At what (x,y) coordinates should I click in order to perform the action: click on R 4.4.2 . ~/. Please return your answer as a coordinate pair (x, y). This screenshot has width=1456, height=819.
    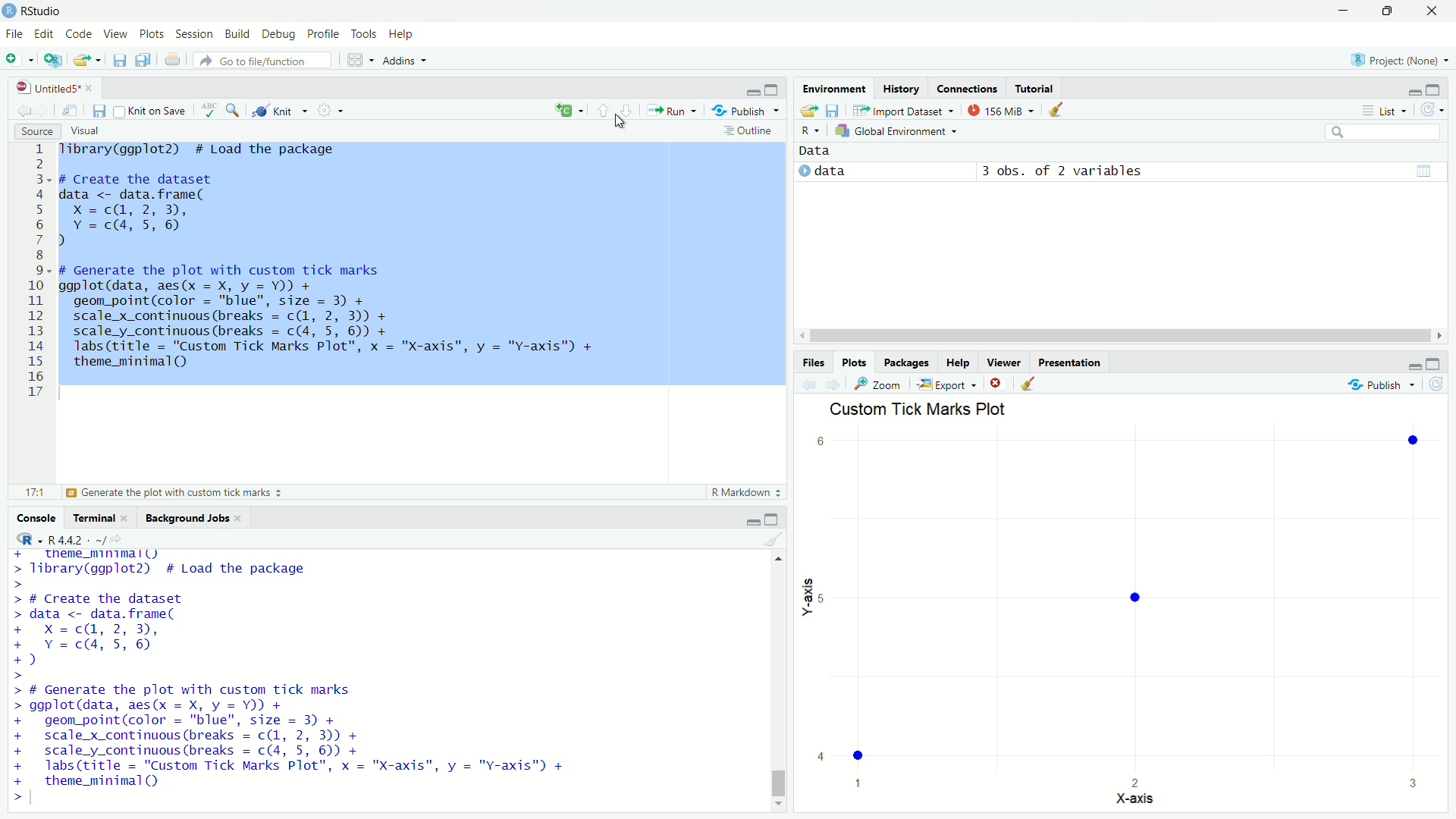
    Looking at the image, I should click on (79, 539).